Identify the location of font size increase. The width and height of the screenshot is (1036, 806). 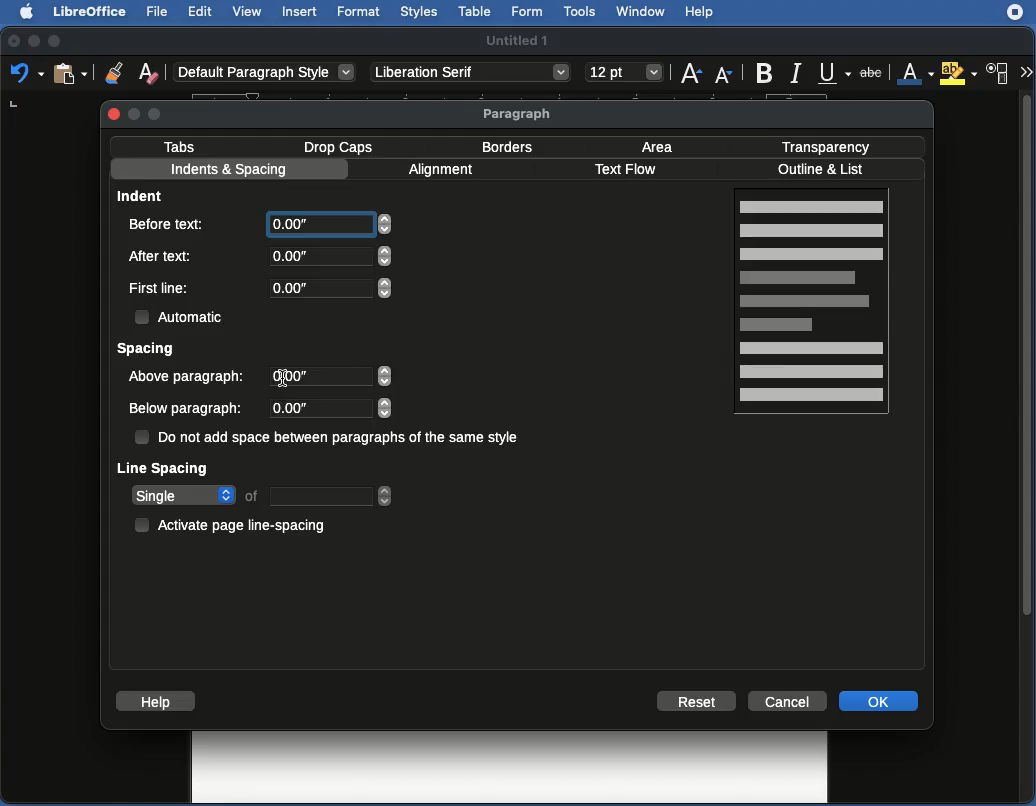
(688, 77).